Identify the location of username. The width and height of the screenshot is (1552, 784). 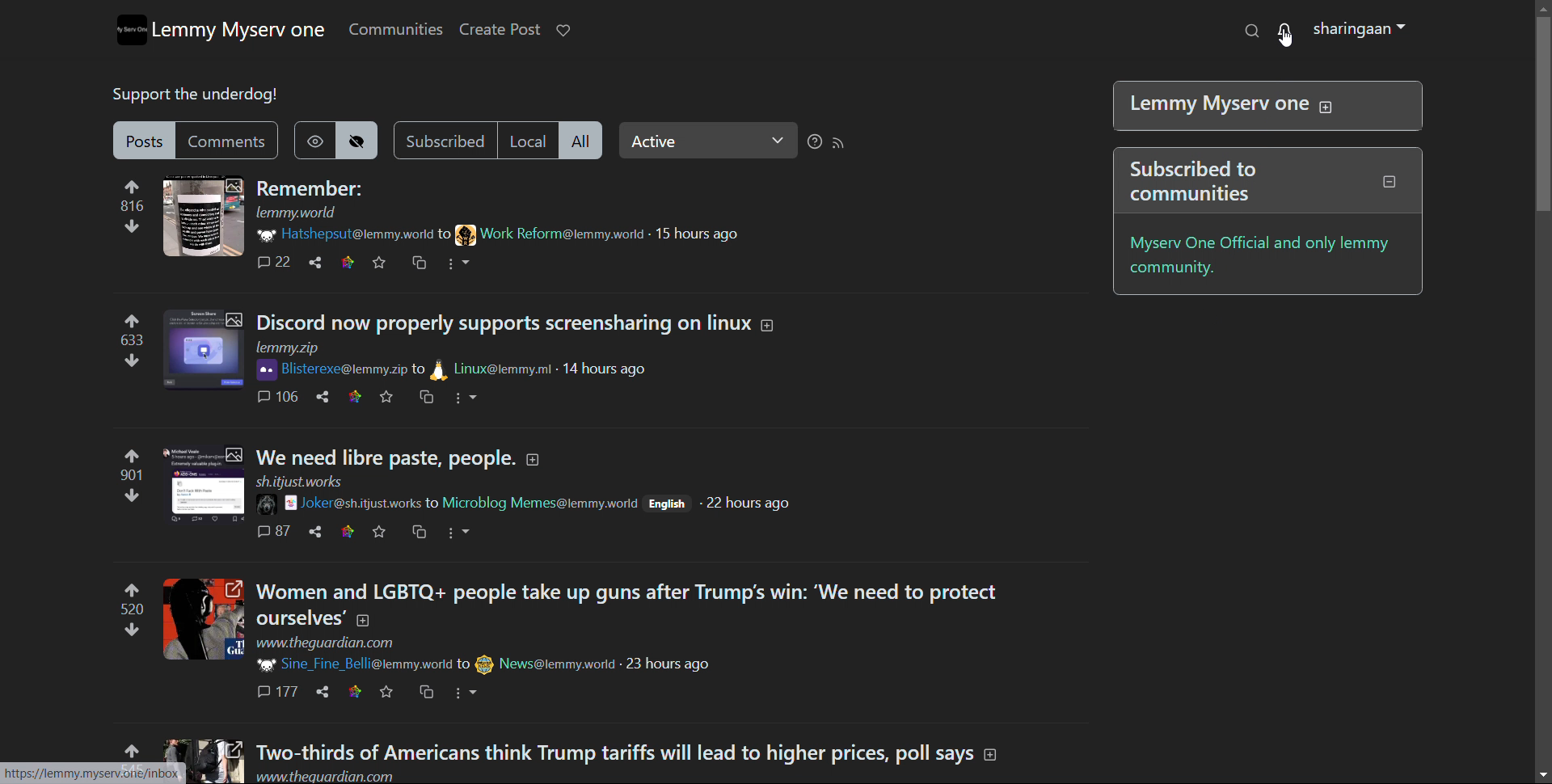
(339, 504).